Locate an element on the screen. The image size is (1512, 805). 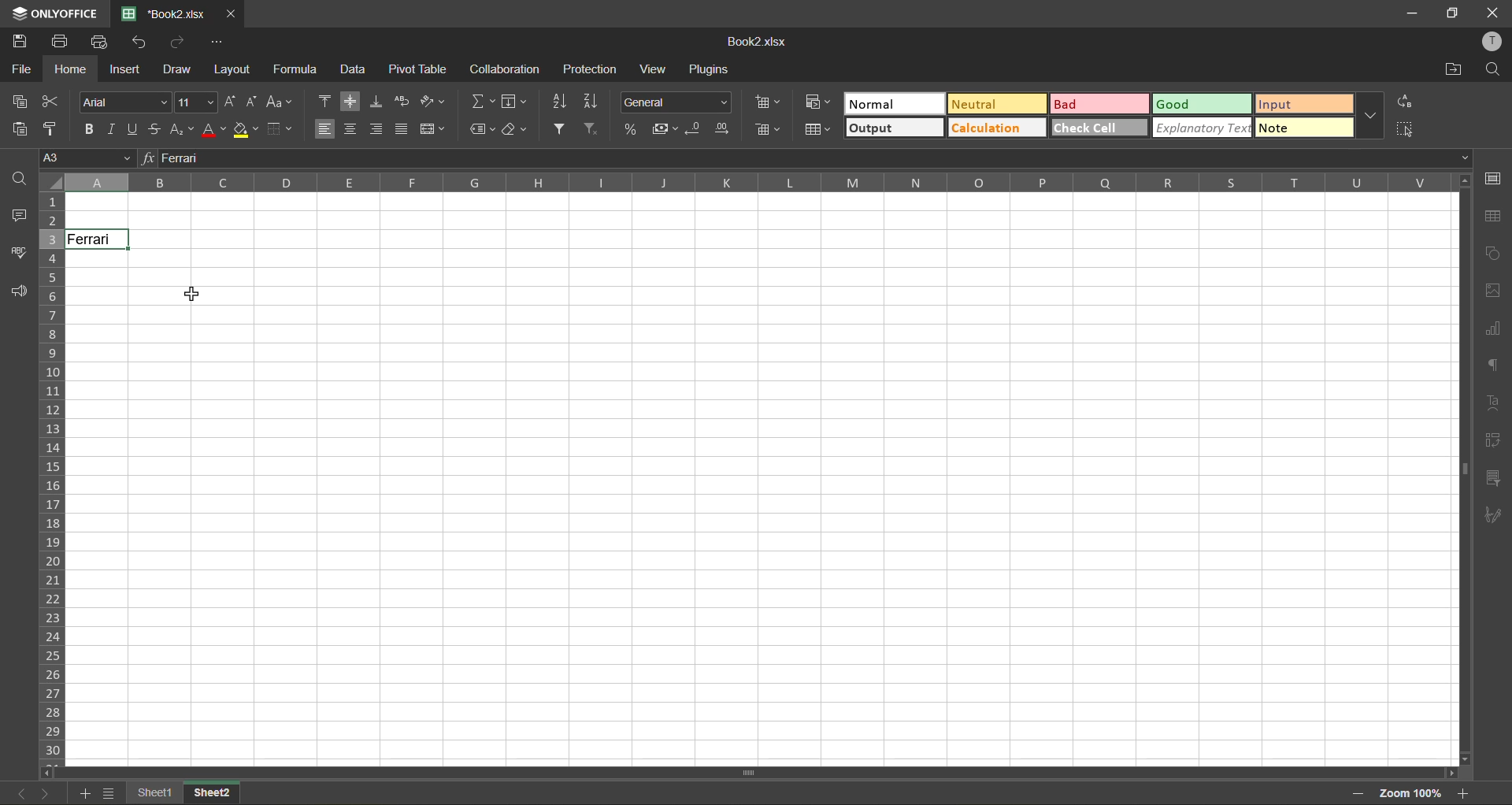
number format is located at coordinates (673, 102).